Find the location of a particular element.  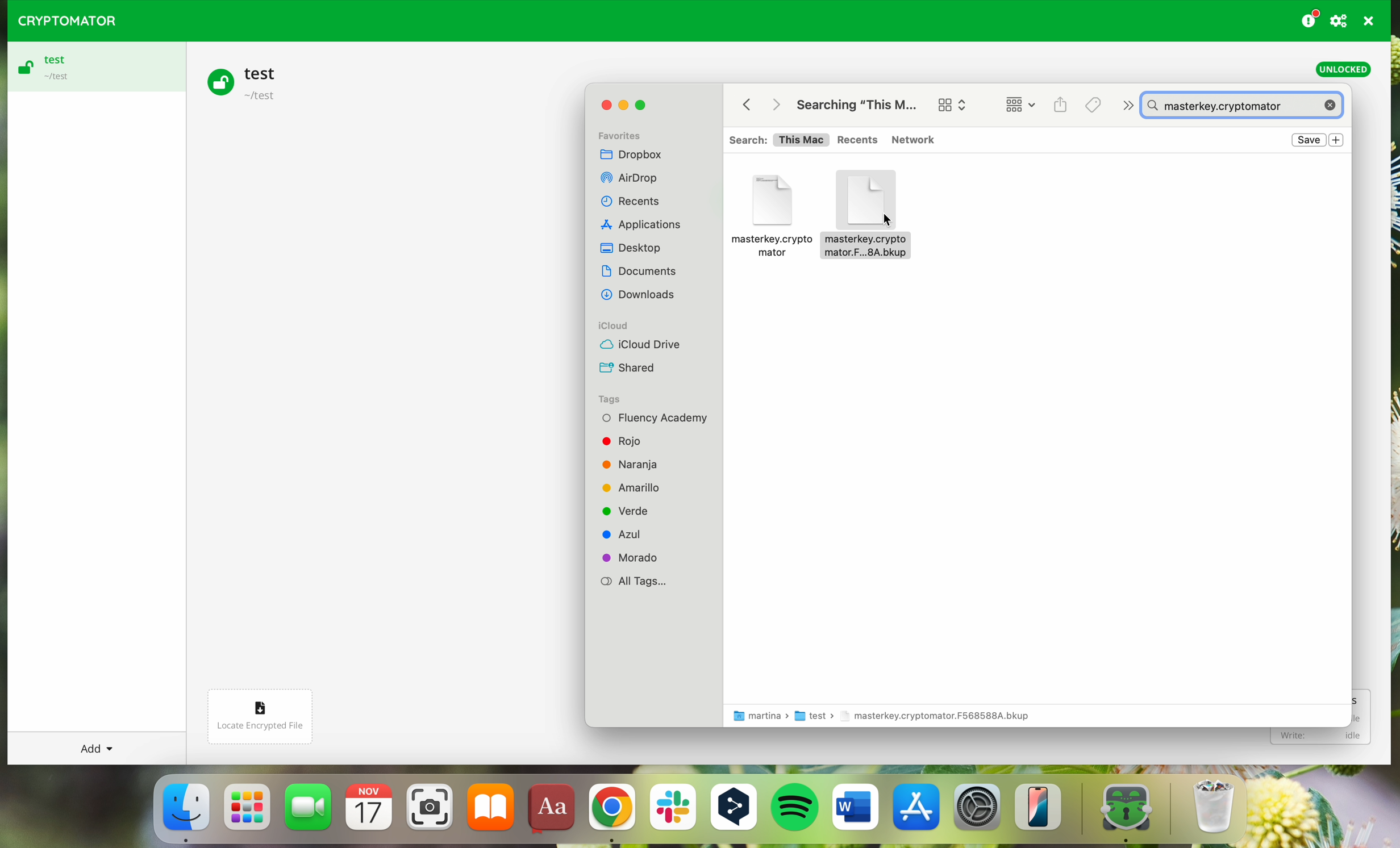

share is located at coordinates (1061, 105).